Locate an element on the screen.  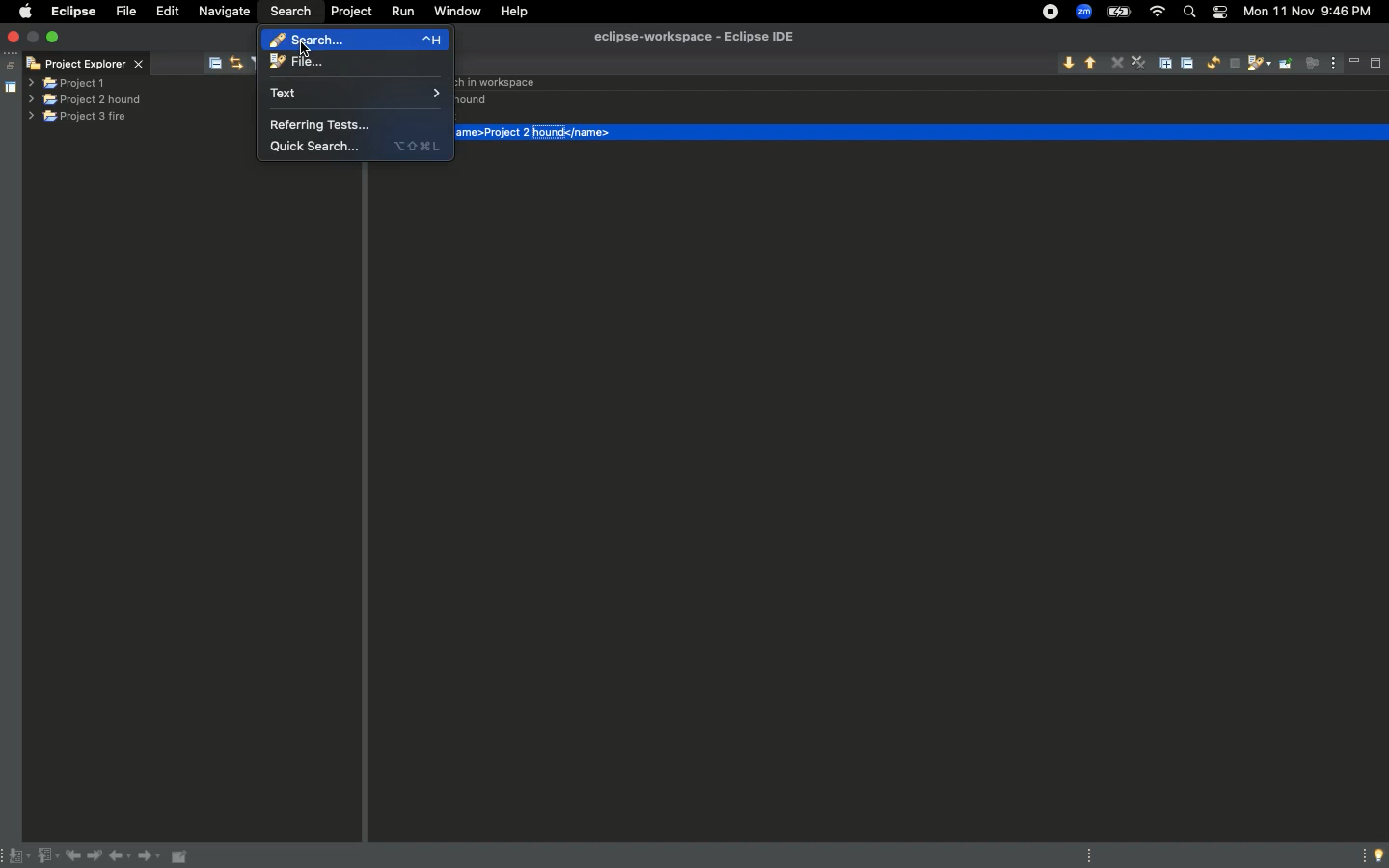
restore is located at coordinates (9, 60).